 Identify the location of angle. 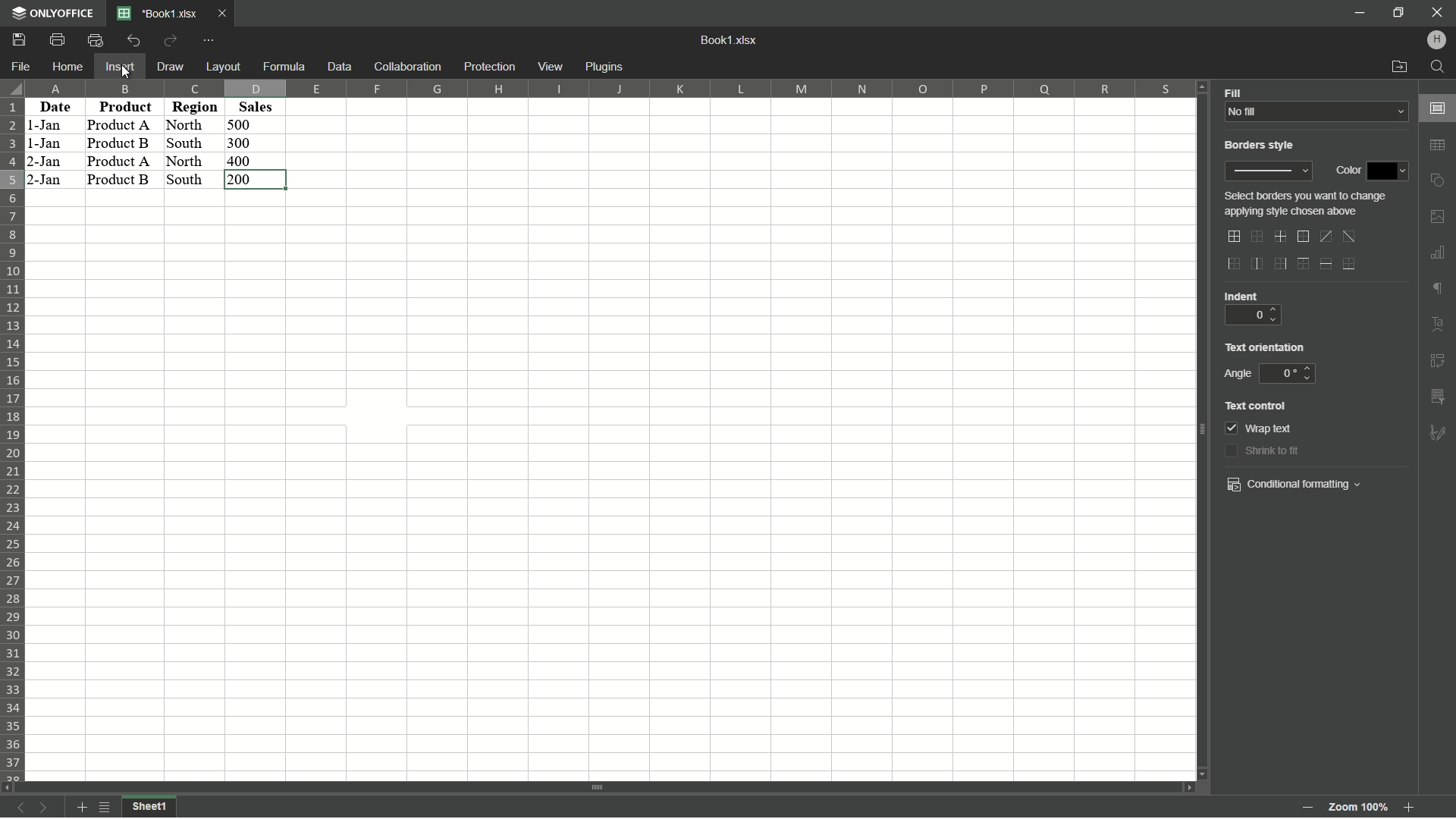
(1240, 375).